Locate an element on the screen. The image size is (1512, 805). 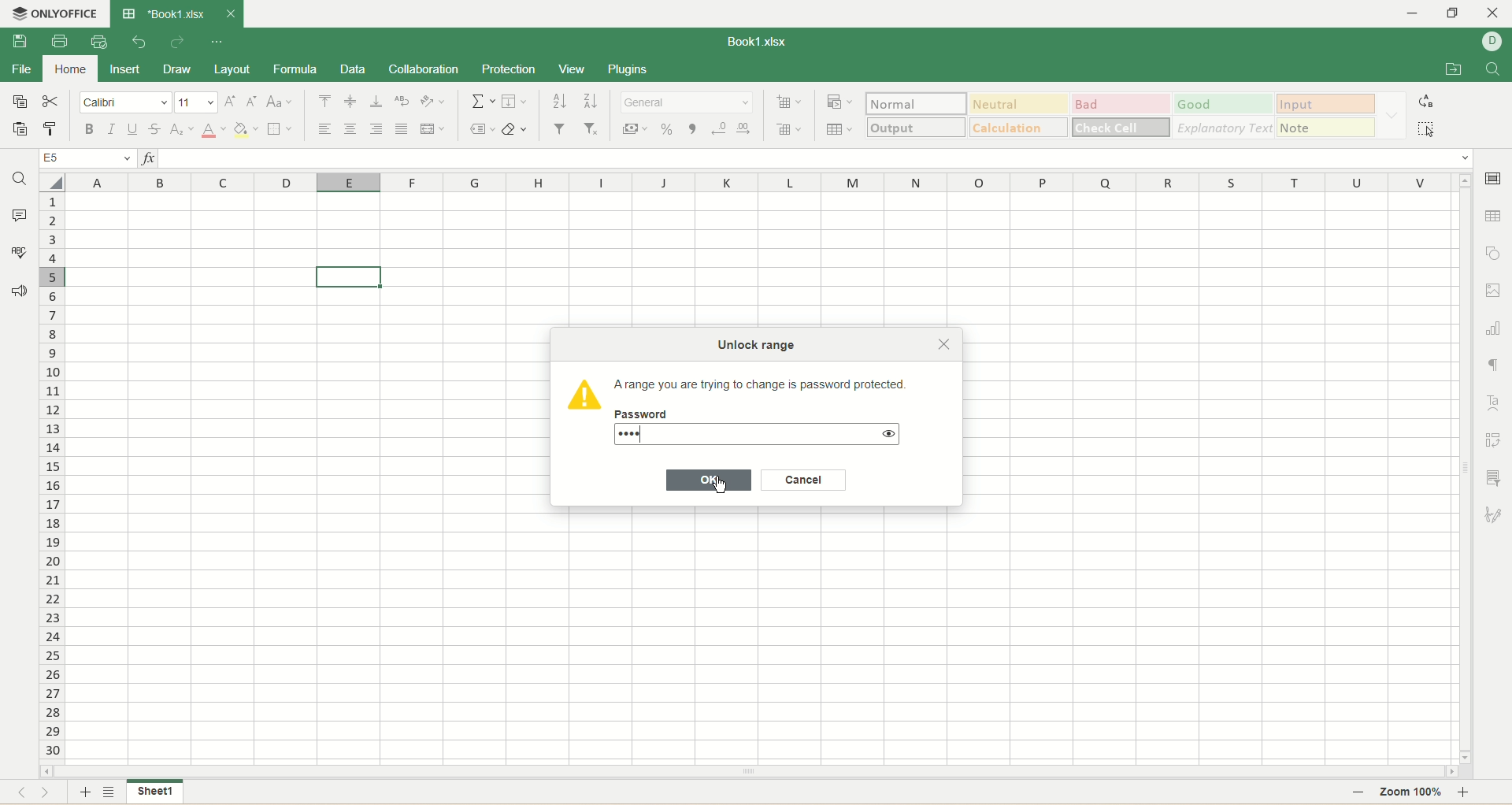
cut is located at coordinates (51, 99).